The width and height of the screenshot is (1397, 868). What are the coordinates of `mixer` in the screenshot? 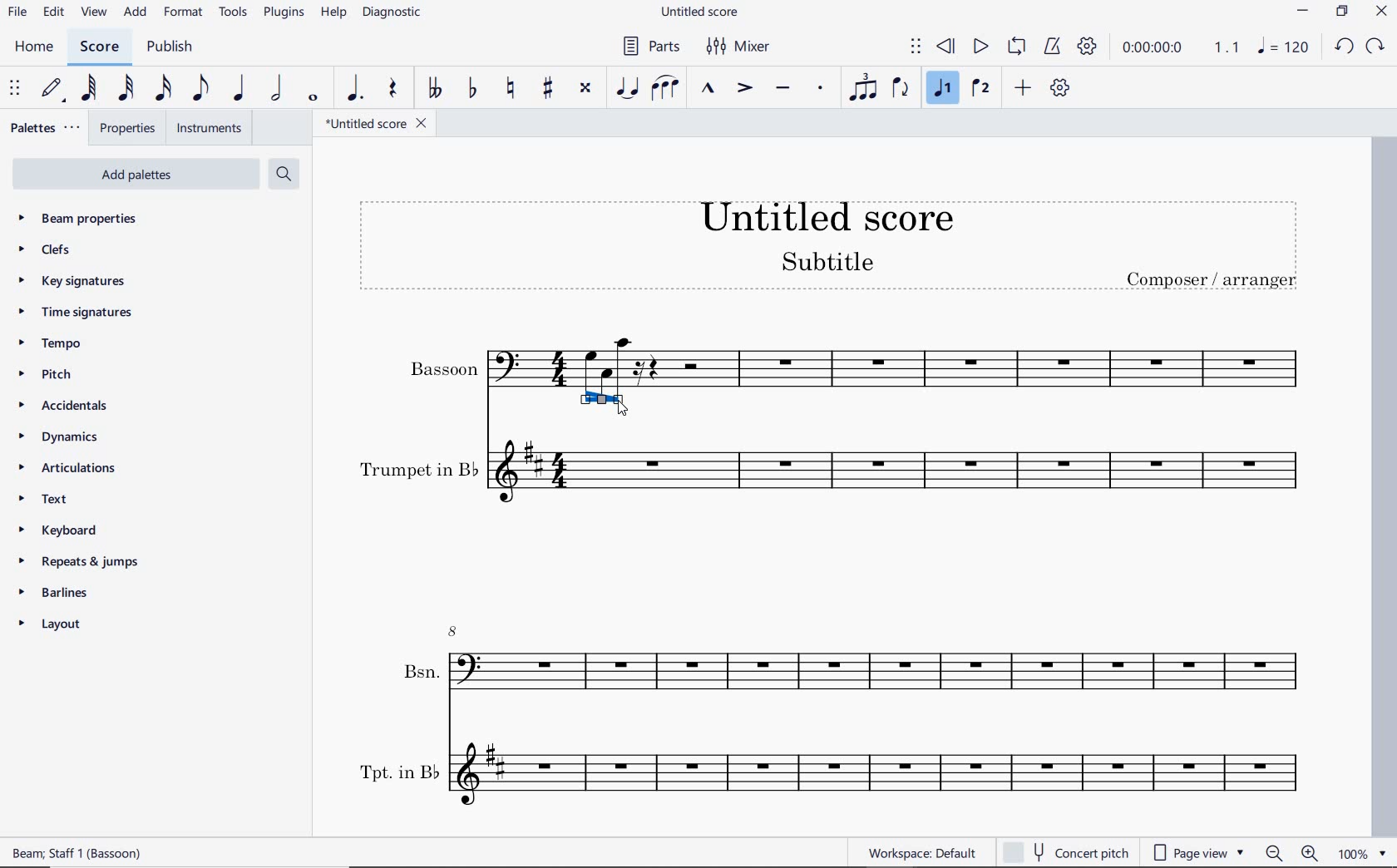 It's located at (739, 47).